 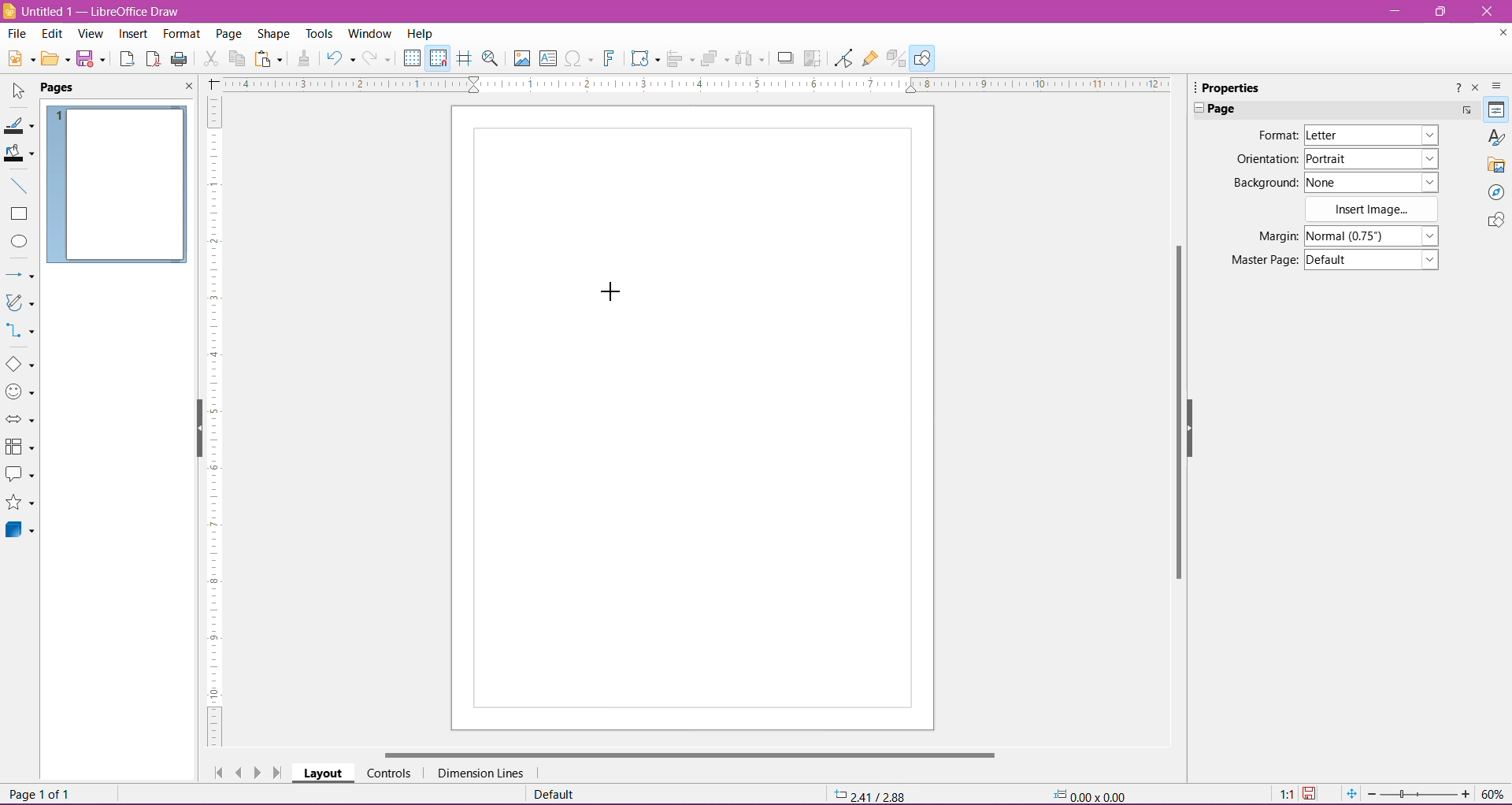 I want to click on Fill Color, so click(x=19, y=154).